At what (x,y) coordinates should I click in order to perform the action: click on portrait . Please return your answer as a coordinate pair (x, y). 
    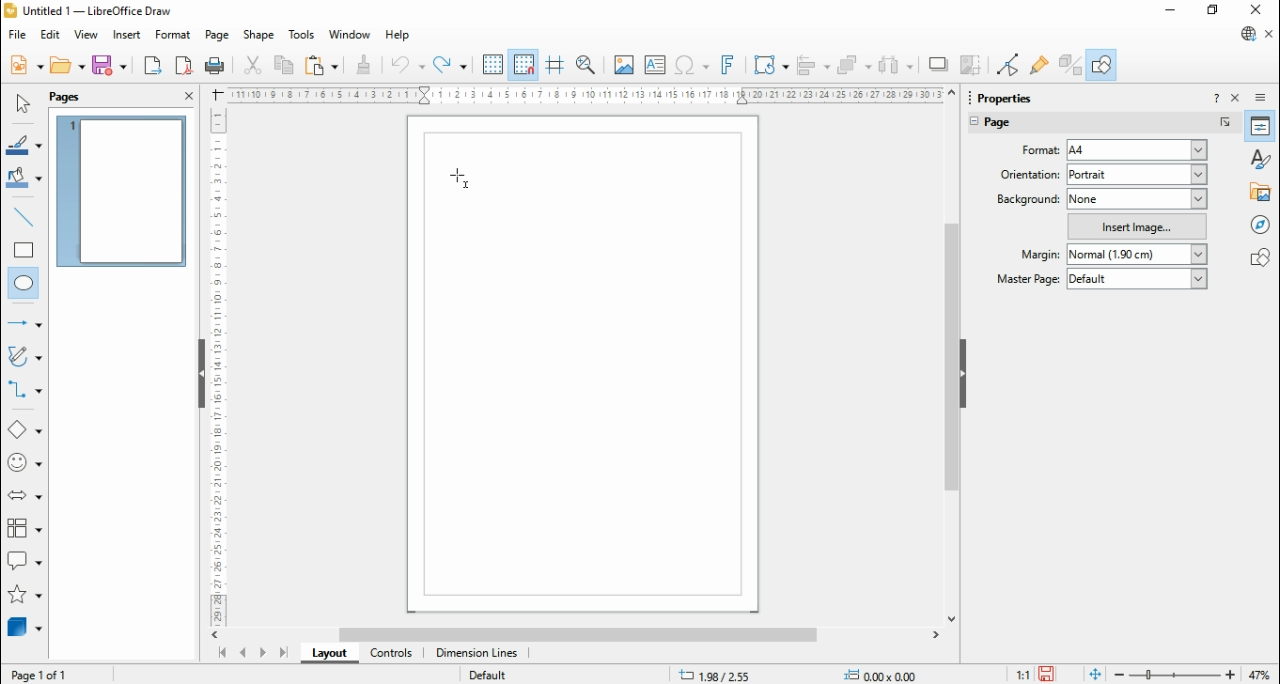
    Looking at the image, I should click on (1138, 174).